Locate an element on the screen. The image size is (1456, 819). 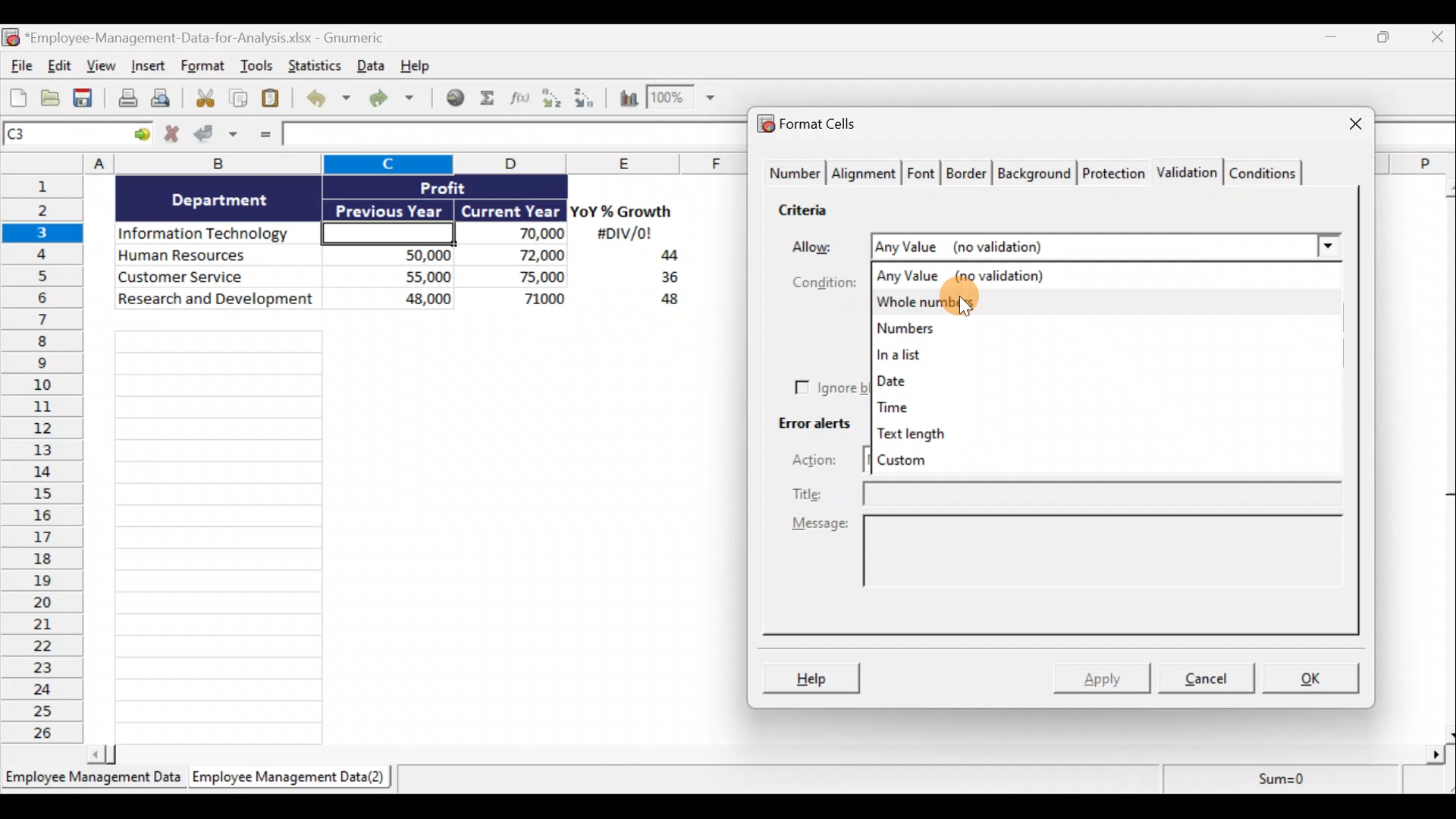
Conditions is located at coordinates (1266, 171).